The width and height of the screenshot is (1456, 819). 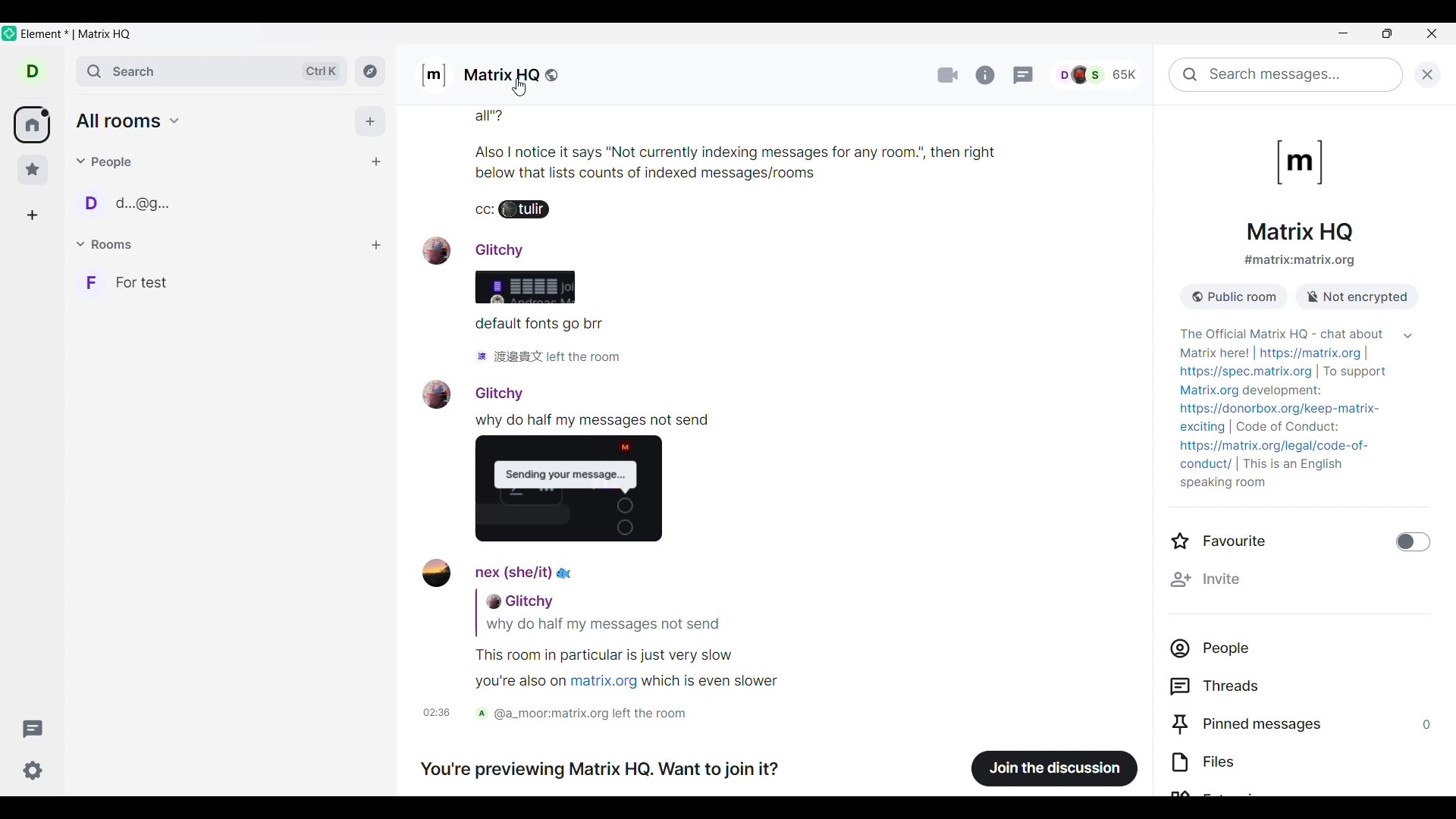 I want to click on People , so click(x=1305, y=648).